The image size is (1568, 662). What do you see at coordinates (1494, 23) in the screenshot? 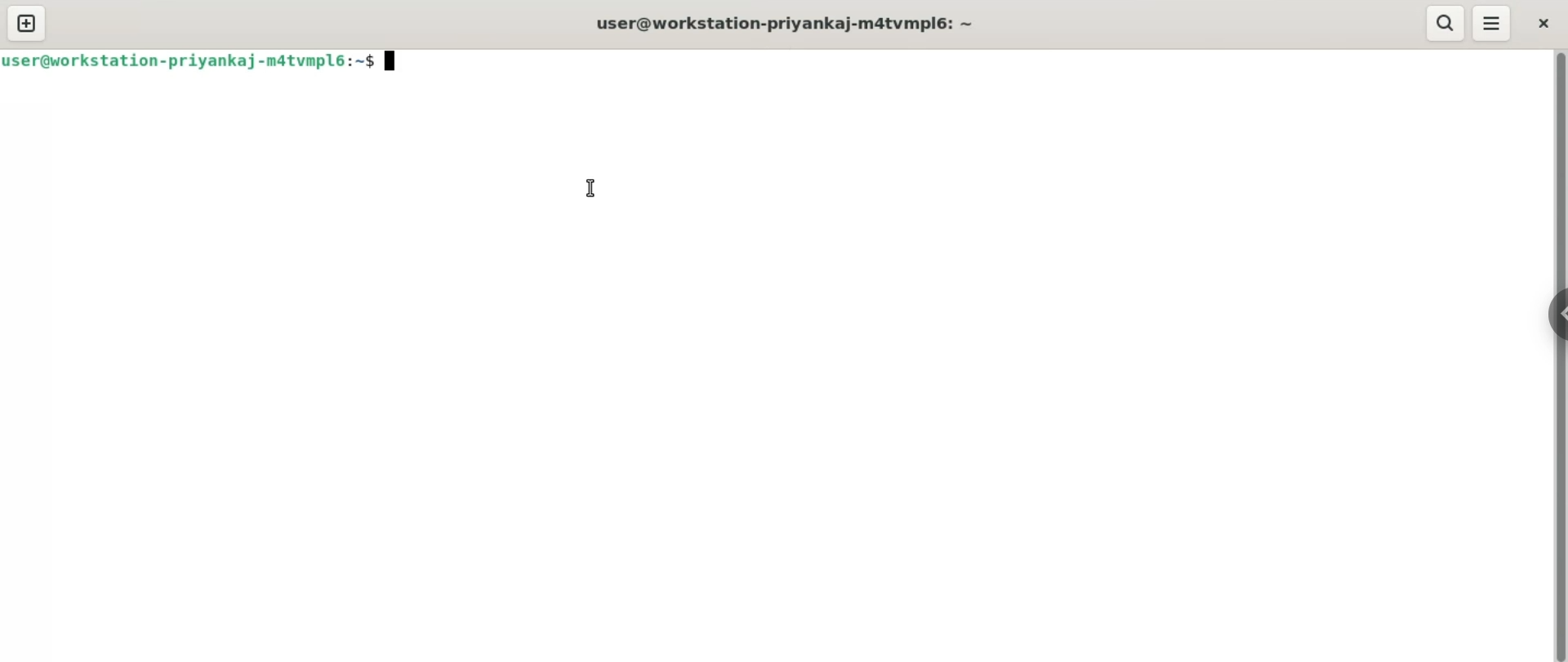
I see `menu` at bounding box center [1494, 23].